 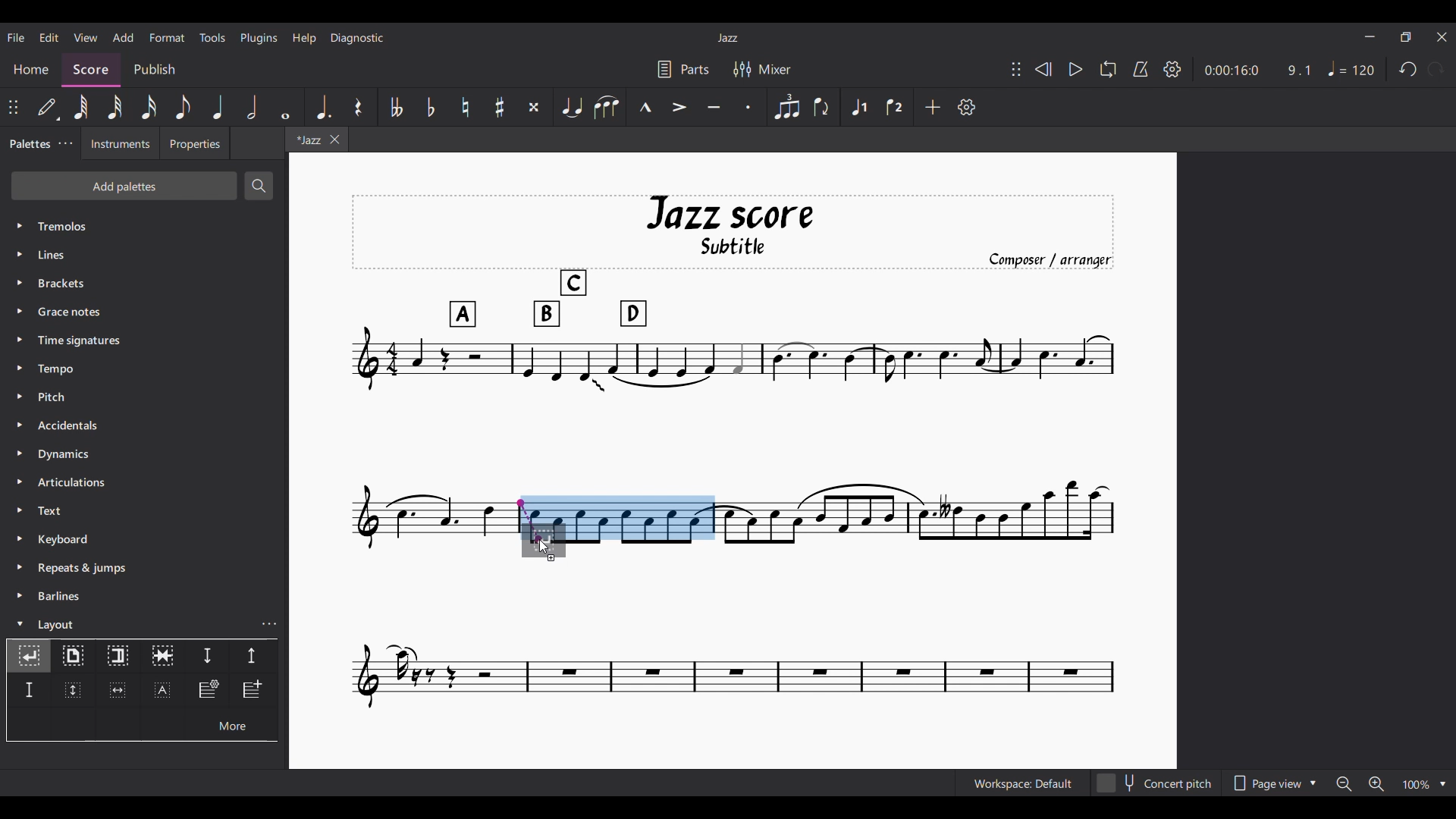 I want to click on Diagnostic menu, so click(x=357, y=38).